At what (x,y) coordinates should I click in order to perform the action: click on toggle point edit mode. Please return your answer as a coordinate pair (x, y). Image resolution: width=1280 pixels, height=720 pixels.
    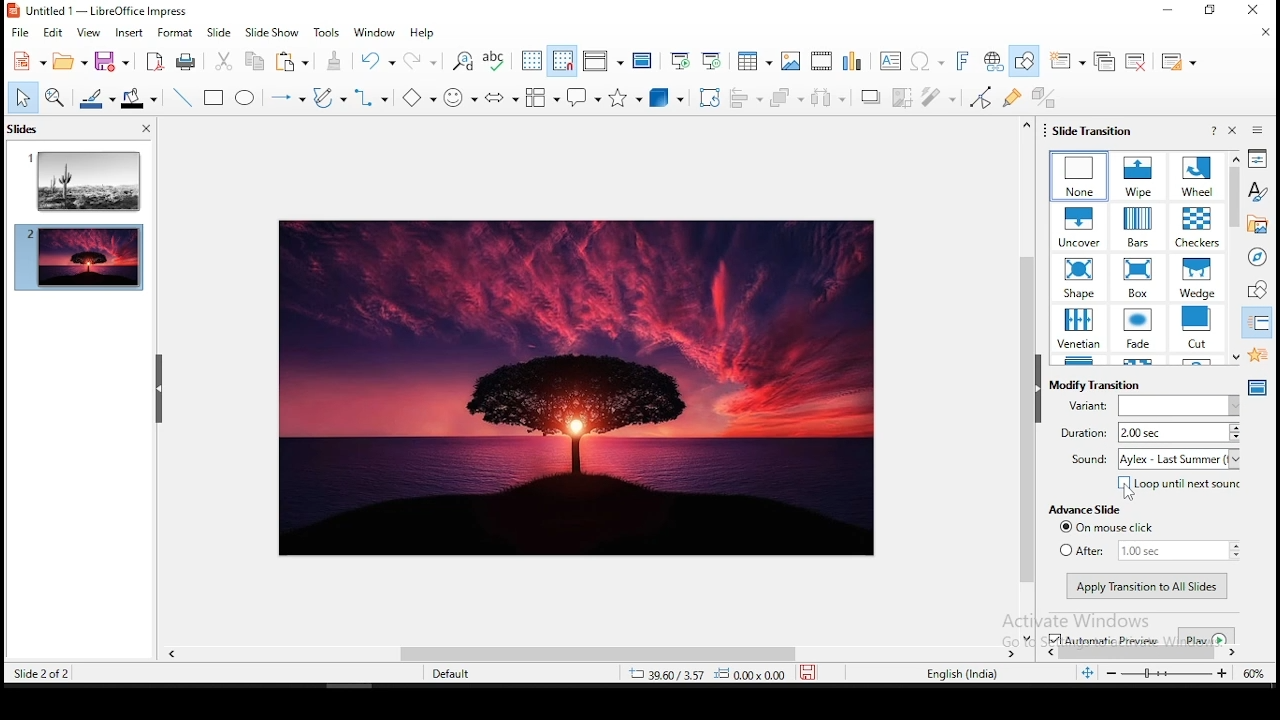
    Looking at the image, I should click on (982, 97).